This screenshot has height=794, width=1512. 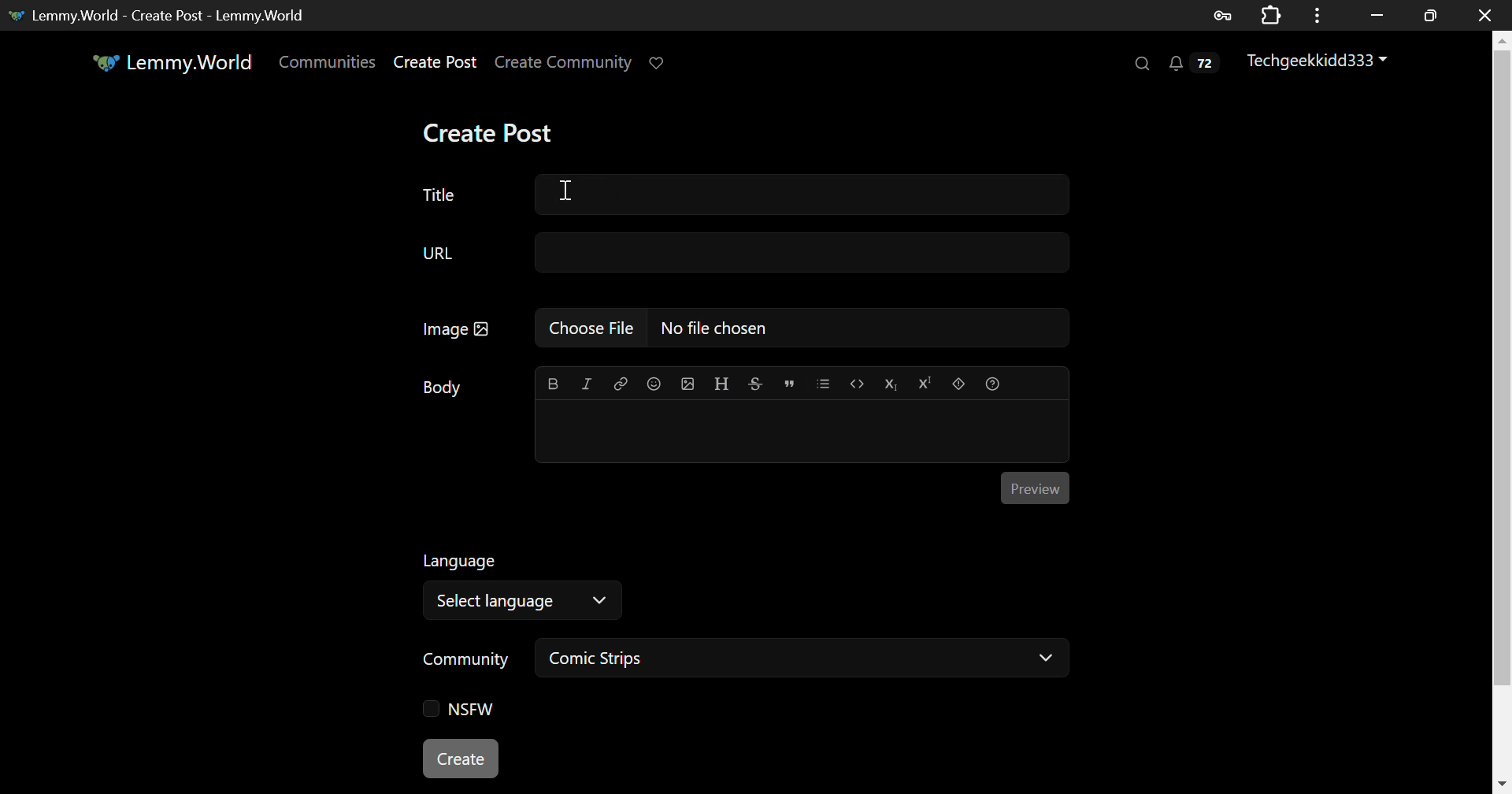 What do you see at coordinates (621, 384) in the screenshot?
I see `Link` at bounding box center [621, 384].